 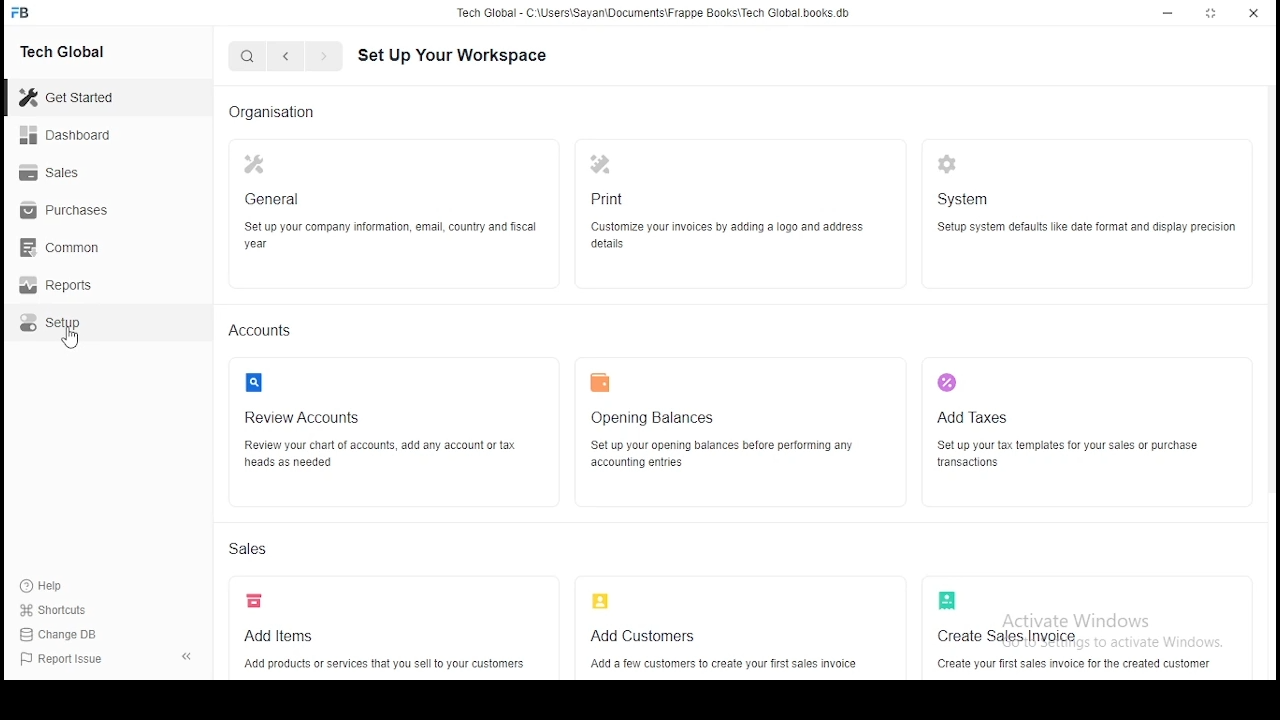 I want to click on Create sales invoice, so click(x=1081, y=627).